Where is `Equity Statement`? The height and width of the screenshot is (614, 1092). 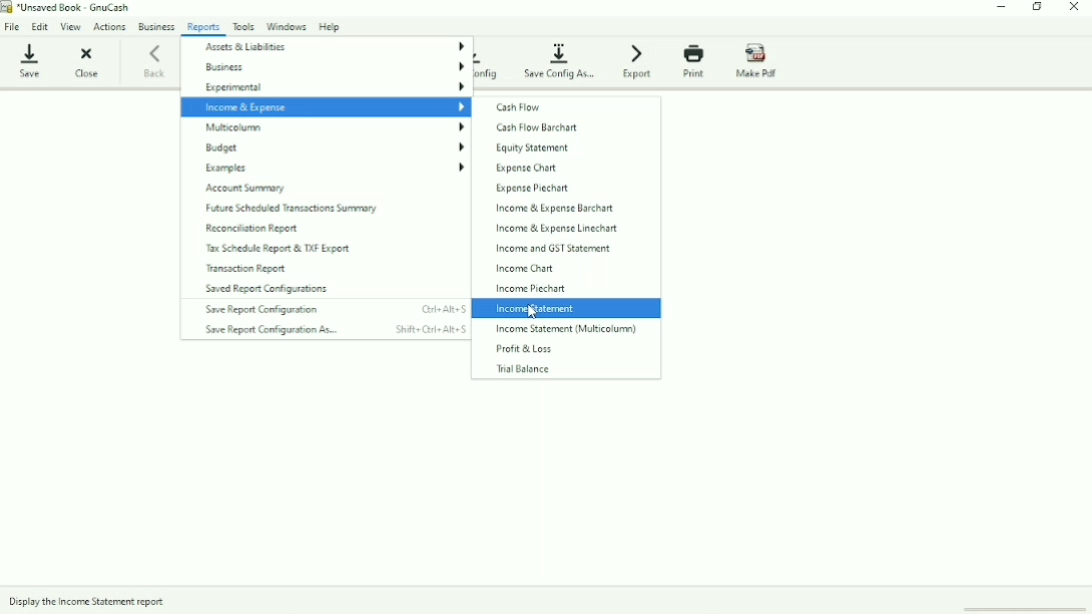
Equity Statement is located at coordinates (530, 149).